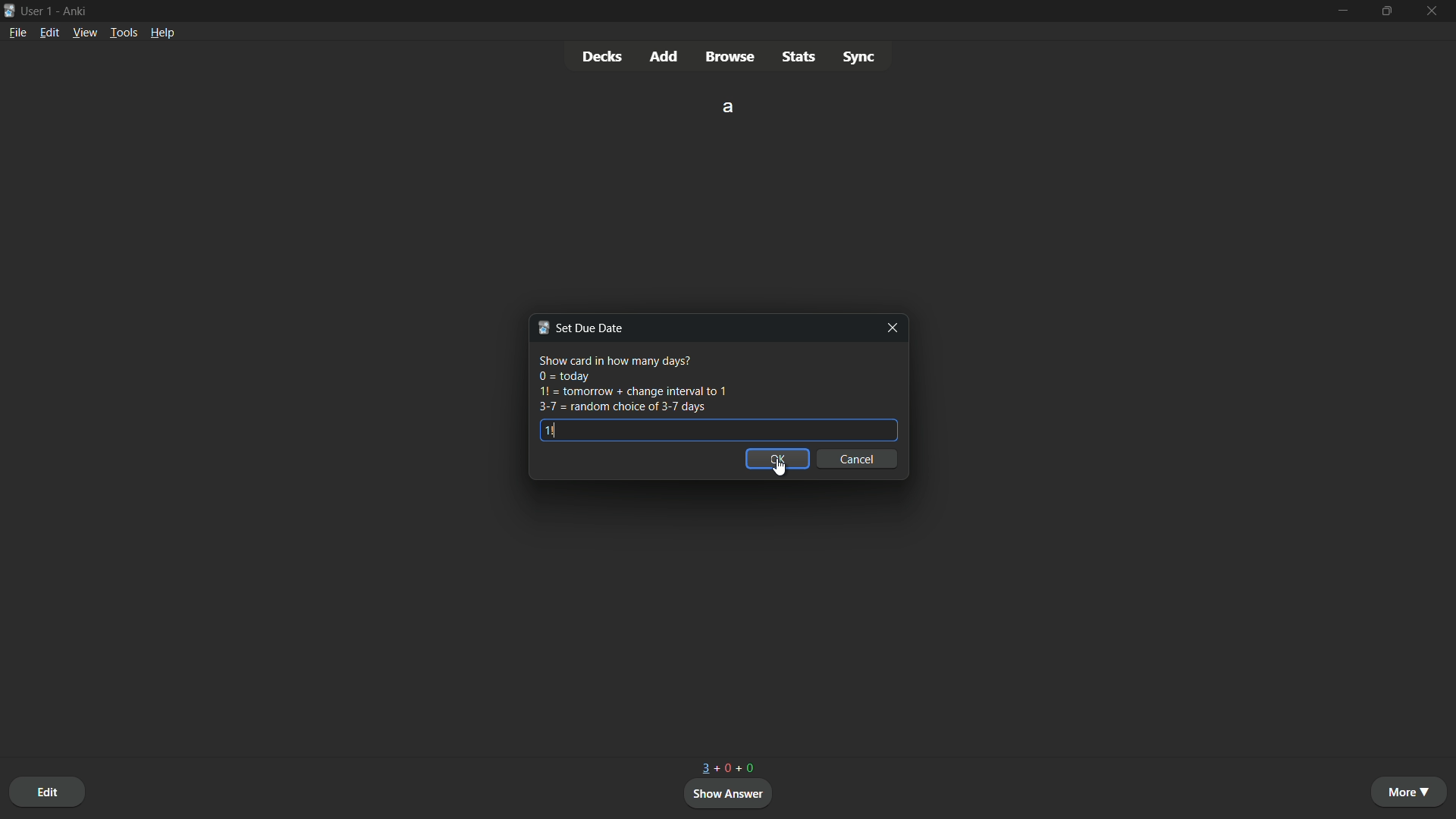 Image resolution: width=1456 pixels, height=819 pixels. Describe the element at coordinates (1411, 792) in the screenshot. I see `more` at that location.